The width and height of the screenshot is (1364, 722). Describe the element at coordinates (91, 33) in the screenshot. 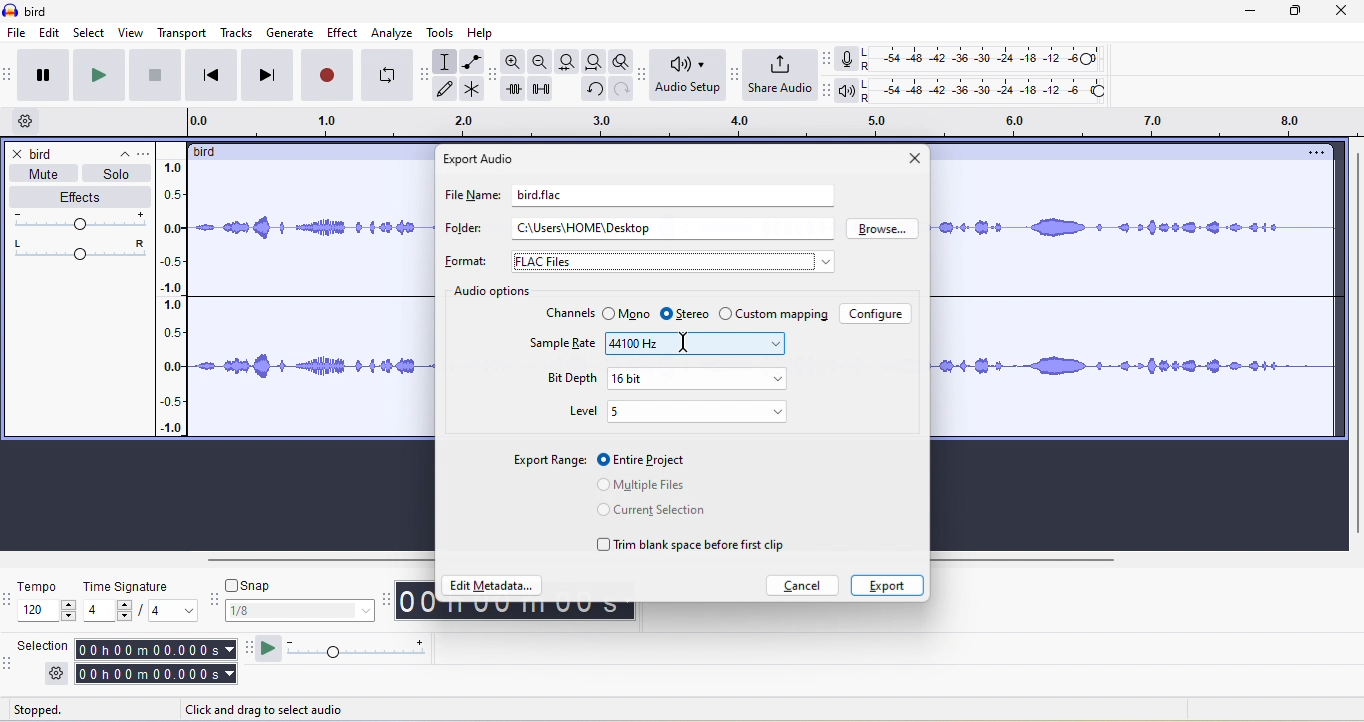

I see `select` at that location.